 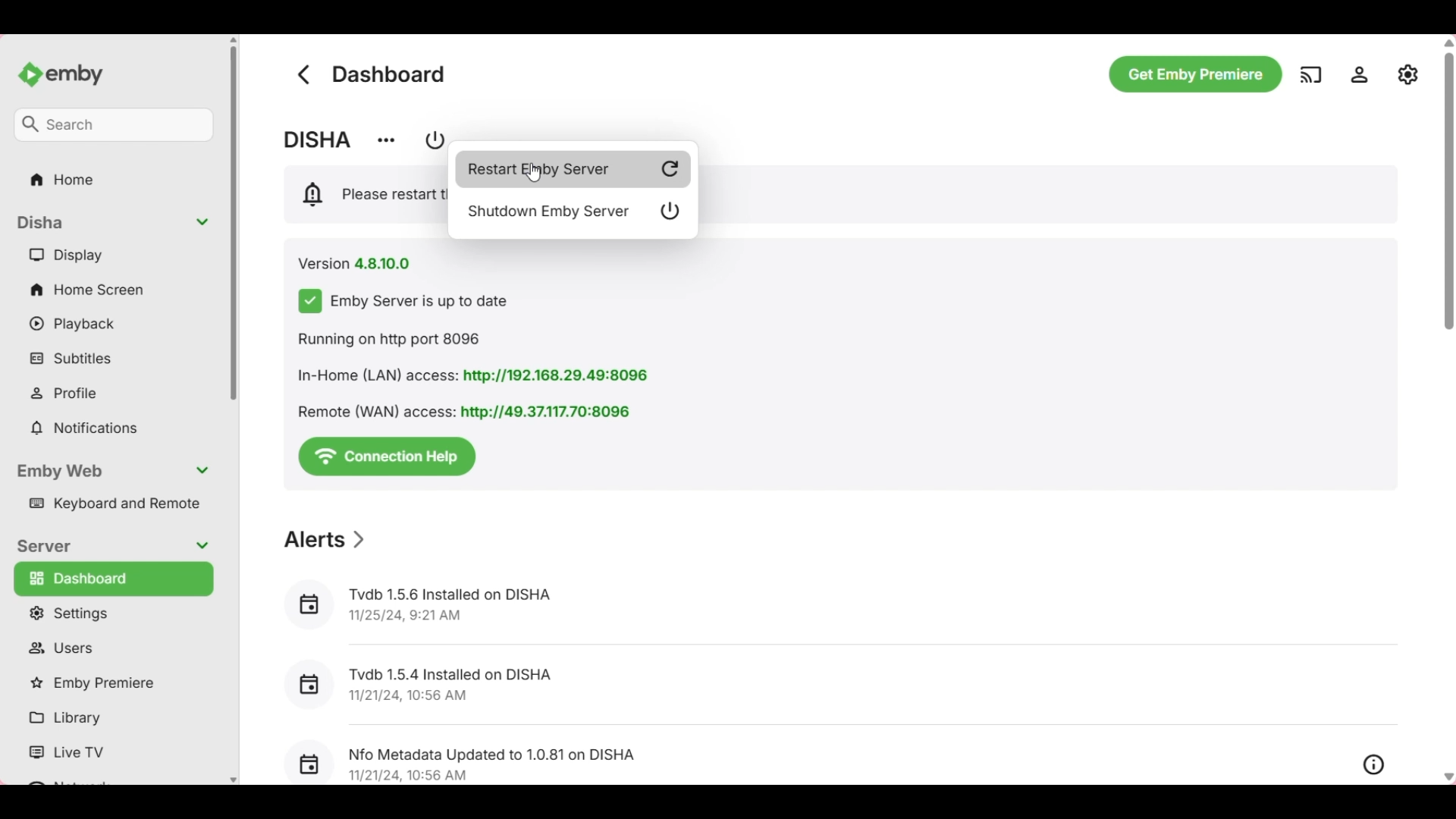 I want to click on Name of account holder, so click(x=318, y=140).